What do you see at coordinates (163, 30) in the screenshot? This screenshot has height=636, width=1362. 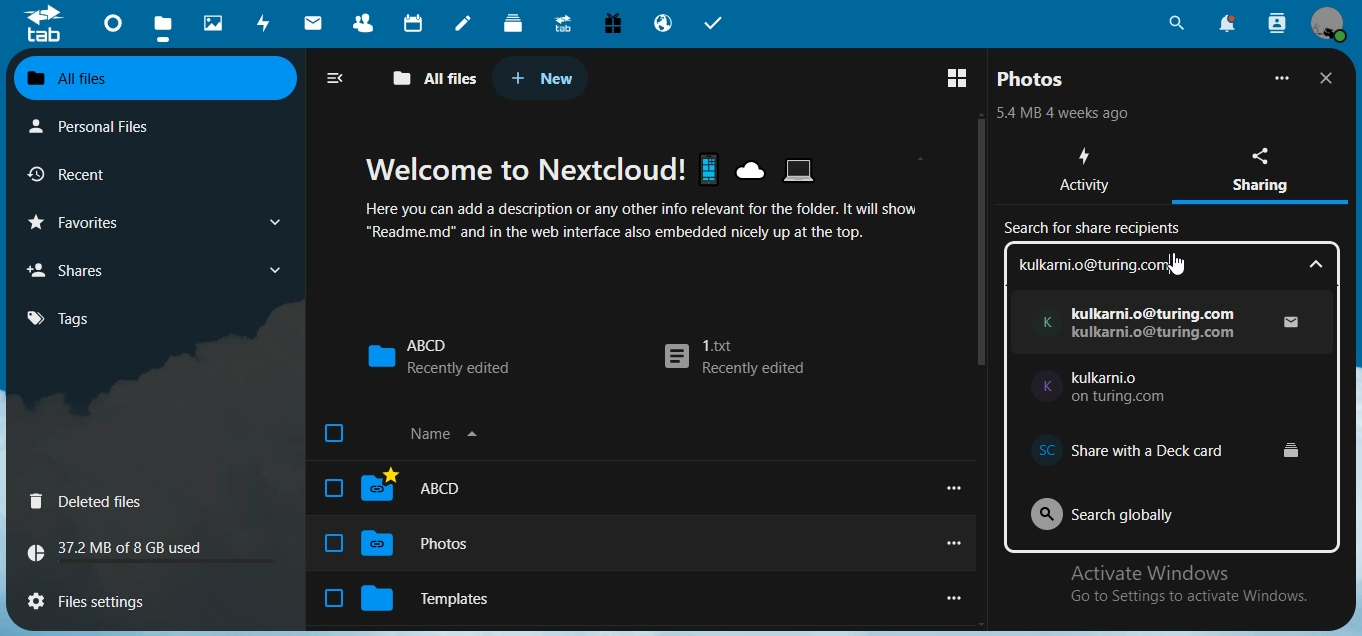 I see `files` at bounding box center [163, 30].